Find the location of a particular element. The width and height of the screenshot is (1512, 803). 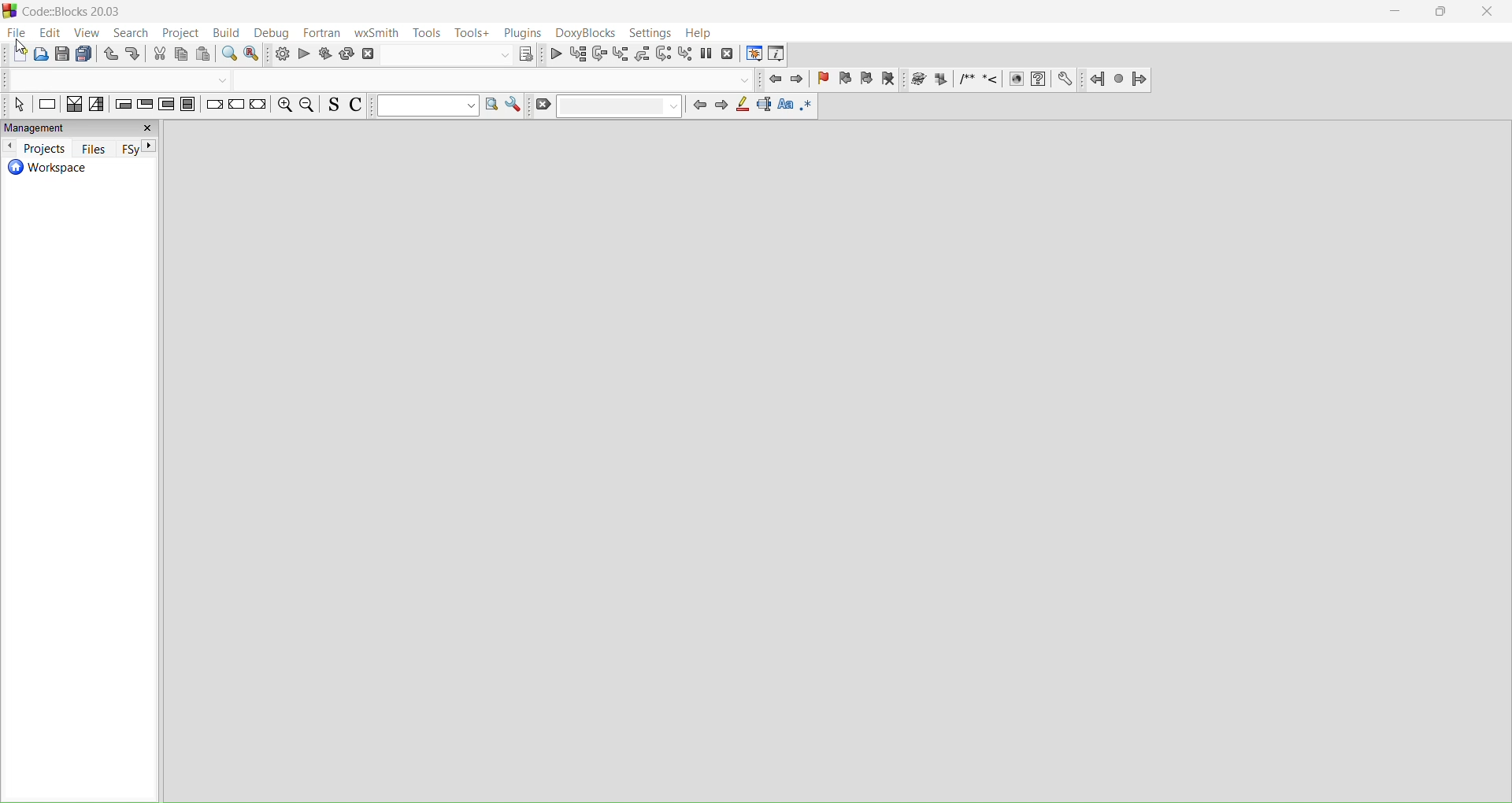

various info is located at coordinates (780, 54).